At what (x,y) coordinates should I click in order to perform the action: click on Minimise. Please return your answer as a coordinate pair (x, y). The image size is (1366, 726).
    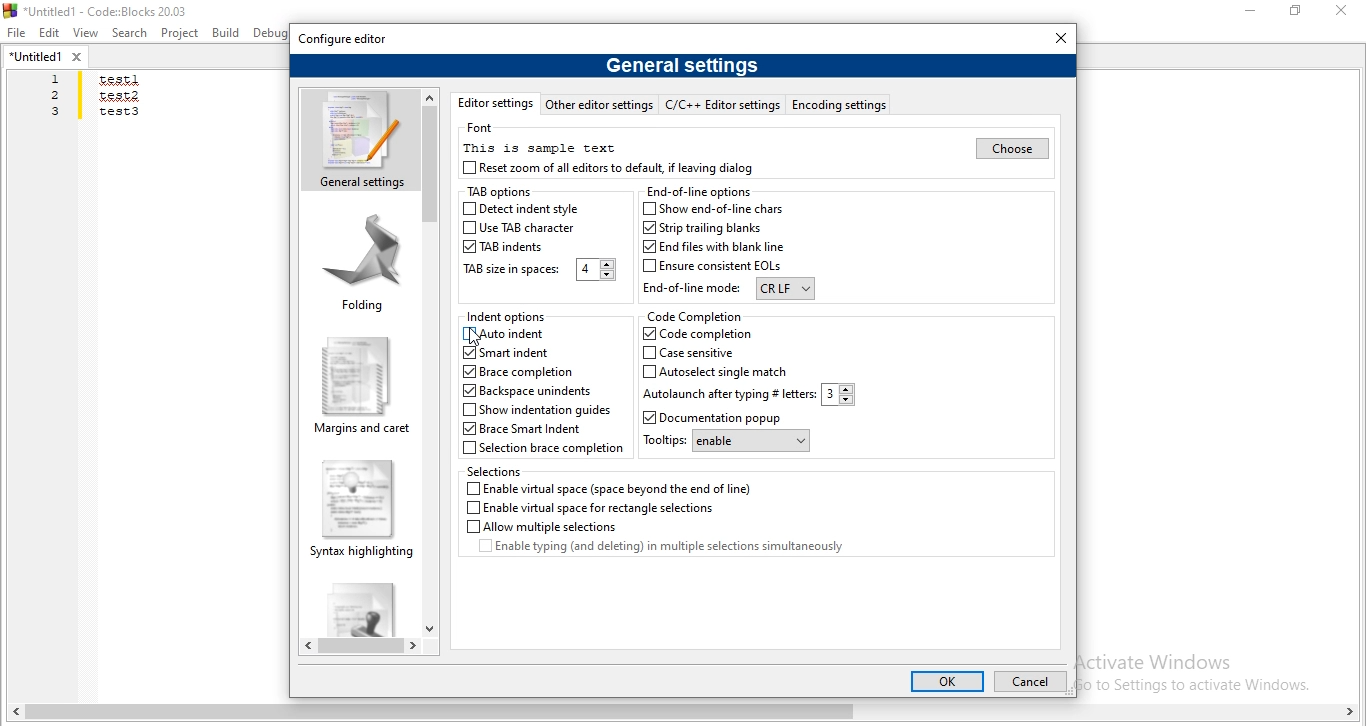
    Looking at the image, I should click on (1253, 11).